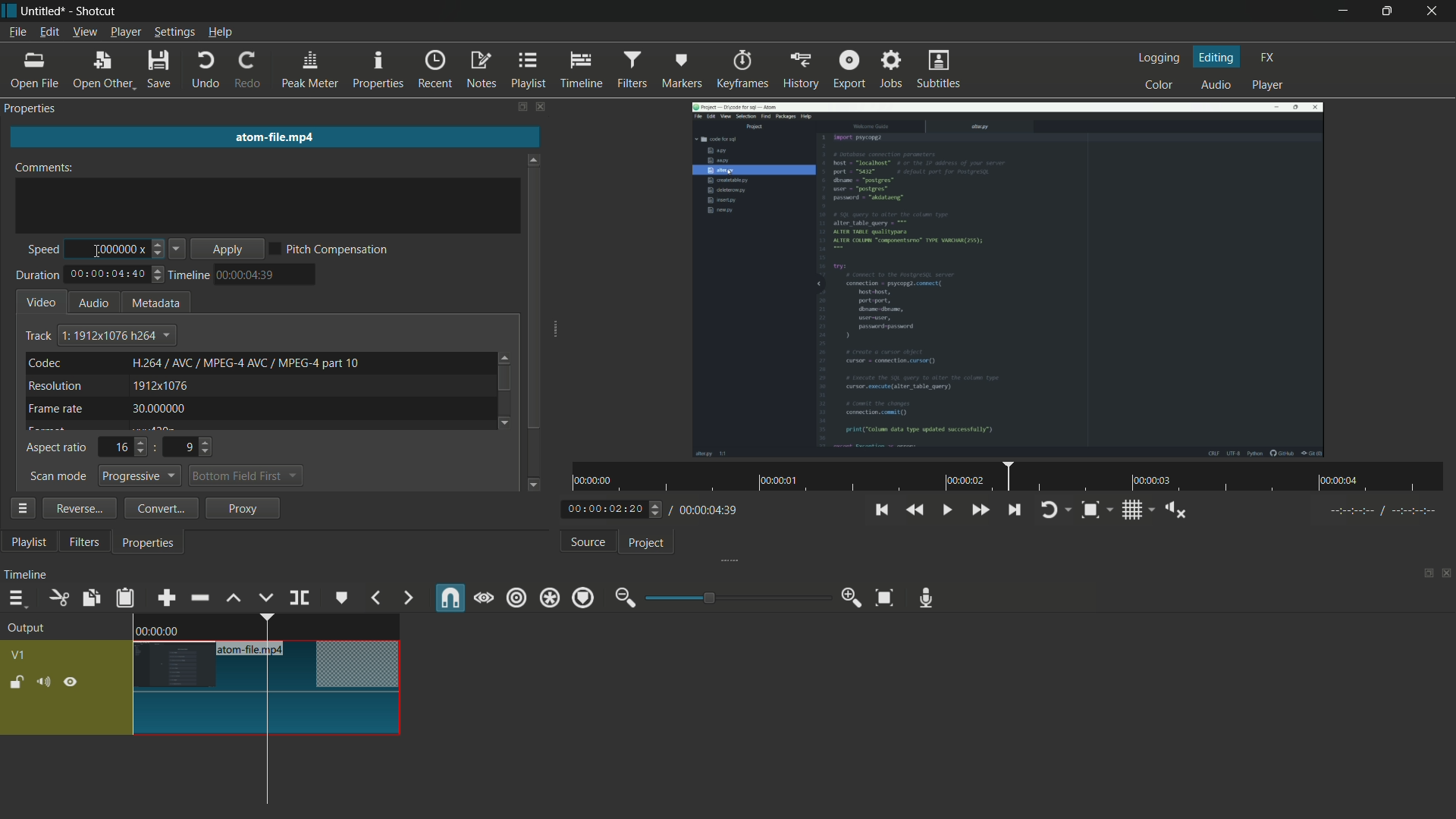 The height and width of the screenshot is (819, 1456). I want to click on change layout, so click(521, 108).